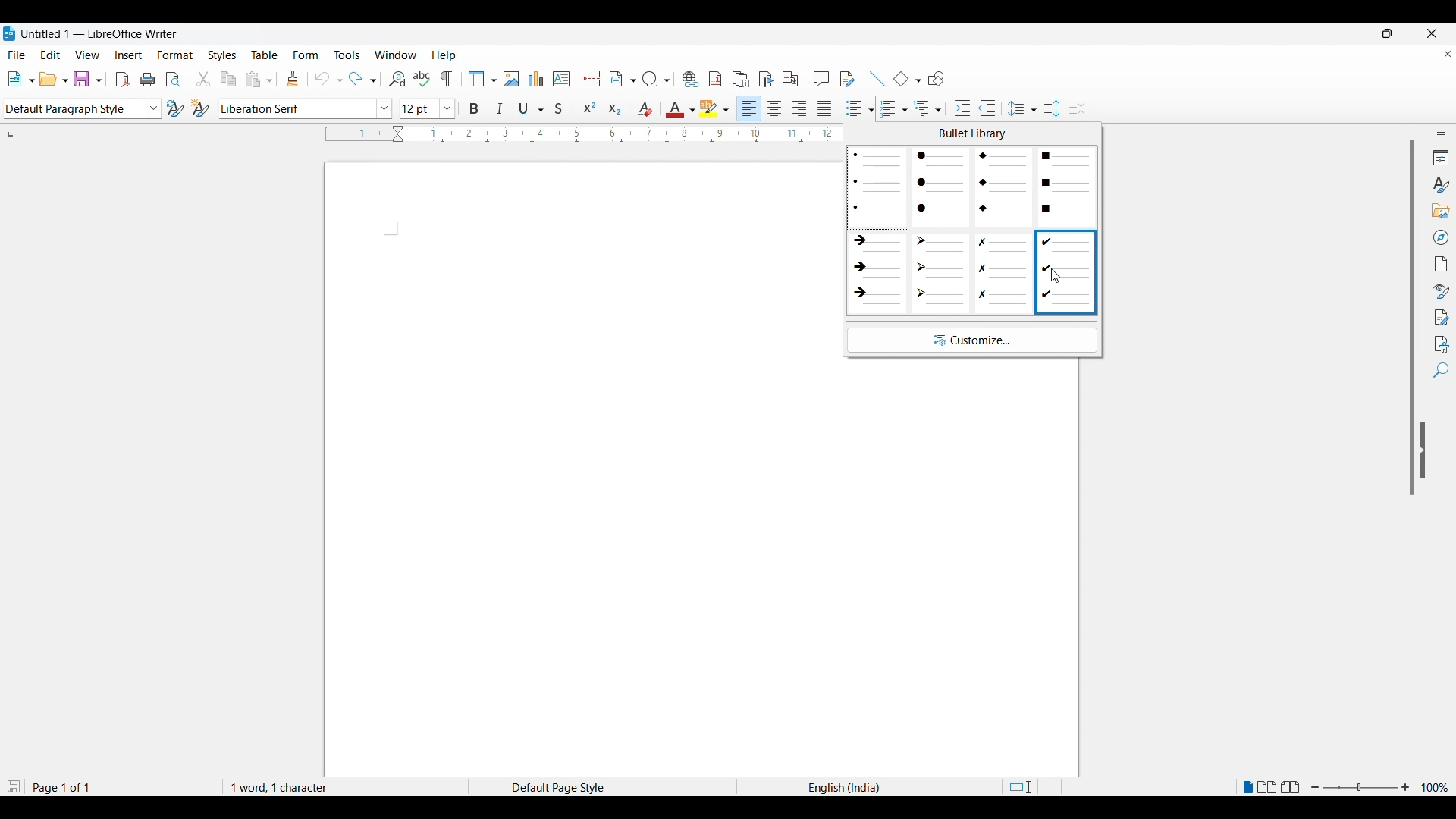 Image resolution: width=1456 pixels, height=819 pixels. What do you see at coordinates (512, 80) in the screenshot?
I see `insert image` at bounding box center [512, 80].